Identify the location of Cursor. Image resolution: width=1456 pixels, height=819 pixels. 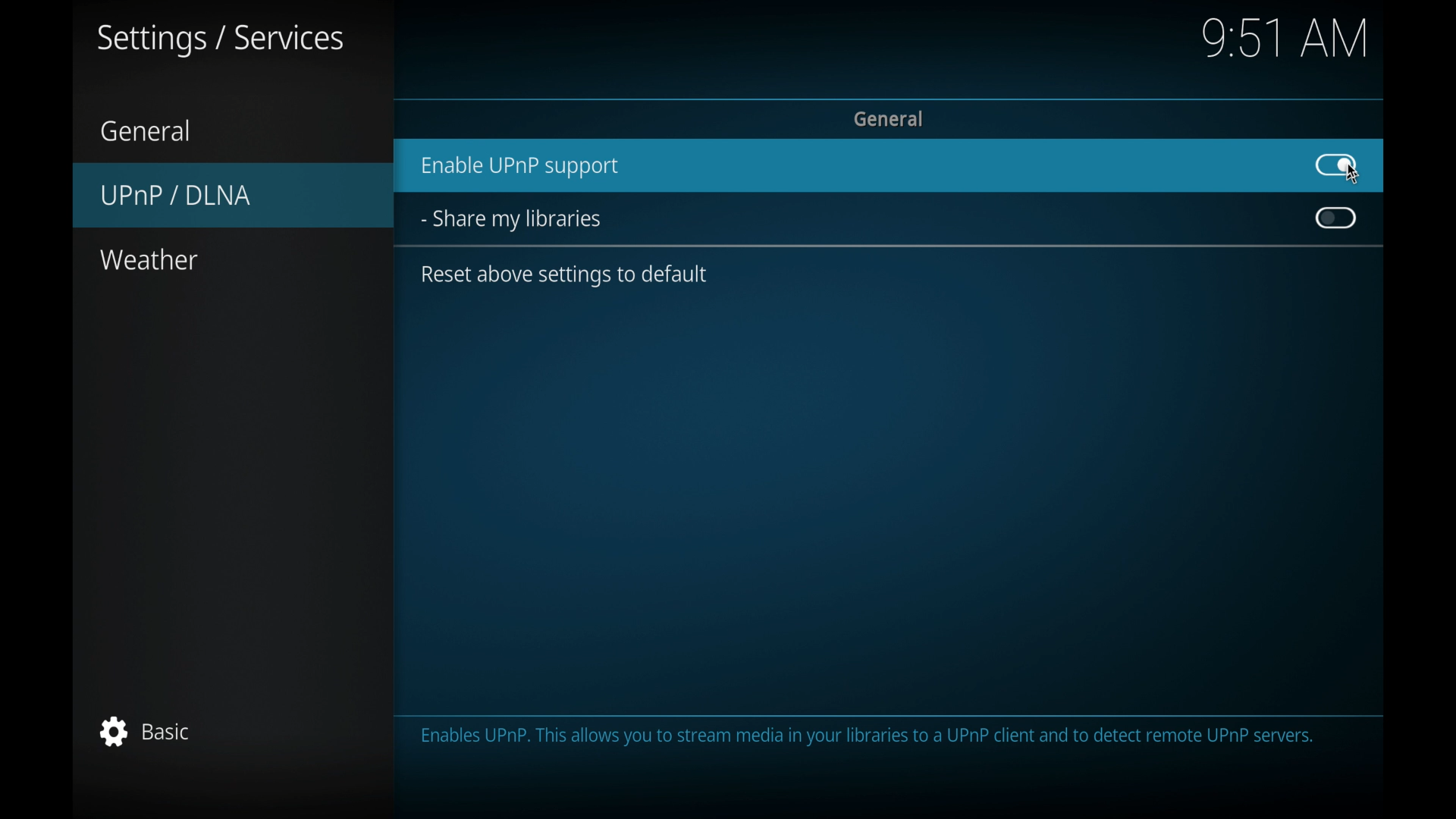
(1355, 177).